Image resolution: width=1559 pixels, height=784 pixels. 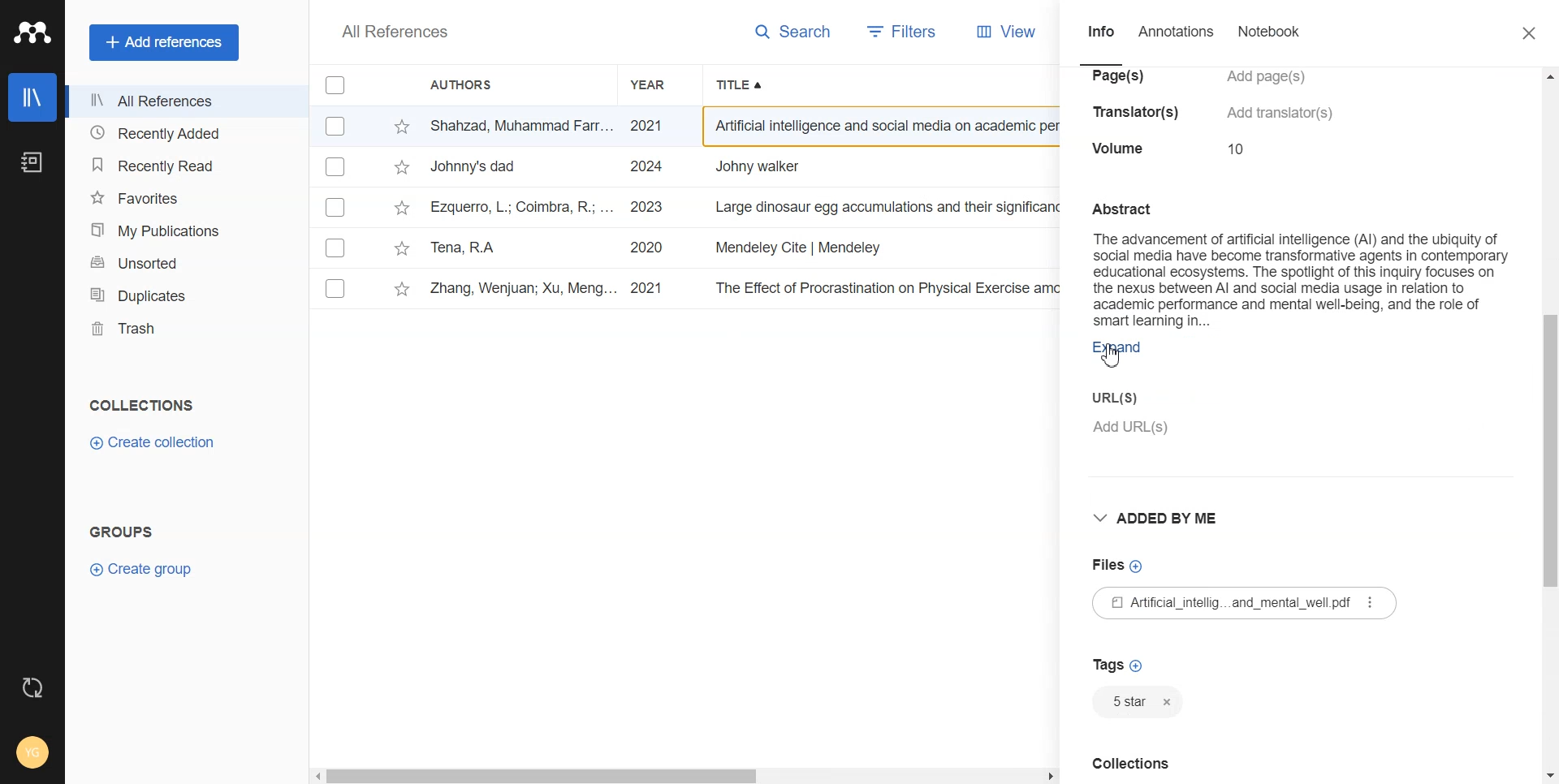 I want to click on Auto Sync, so click(x=32, y=687).